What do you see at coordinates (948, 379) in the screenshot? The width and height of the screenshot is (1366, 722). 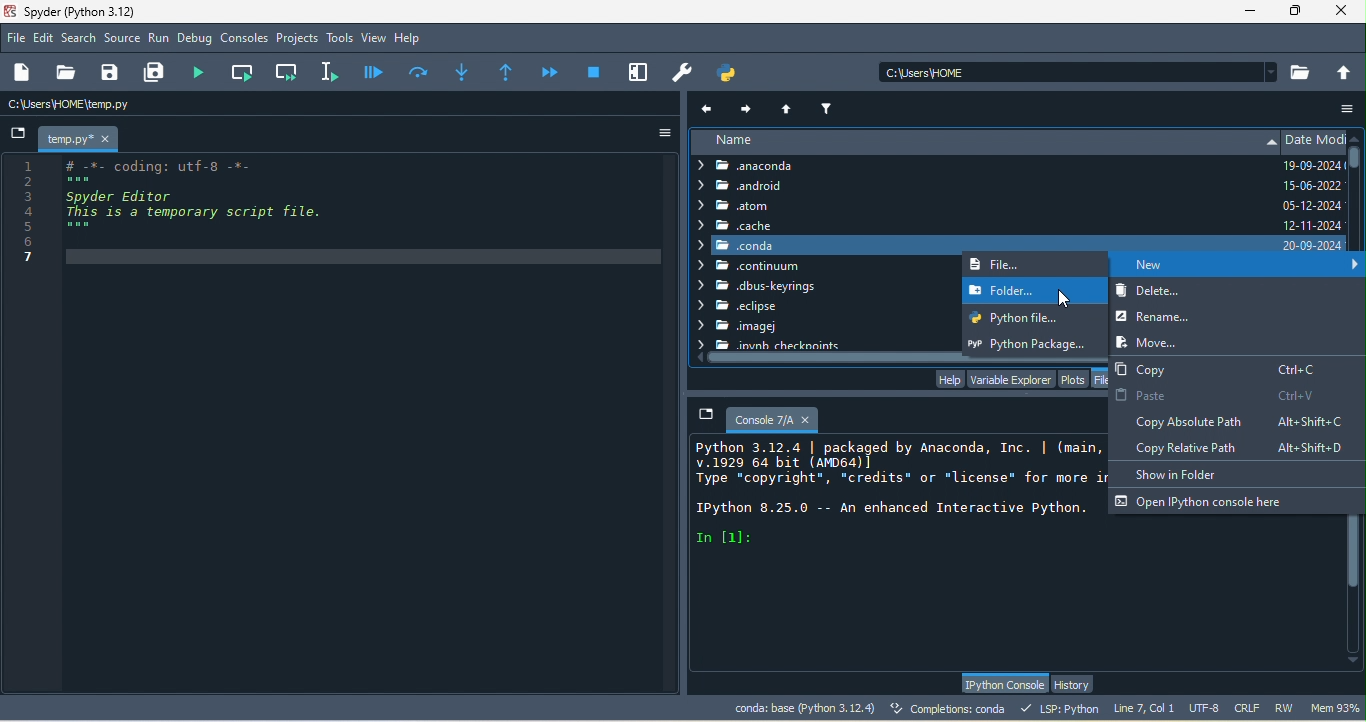 I see `help` at bounding box center [948, 379].